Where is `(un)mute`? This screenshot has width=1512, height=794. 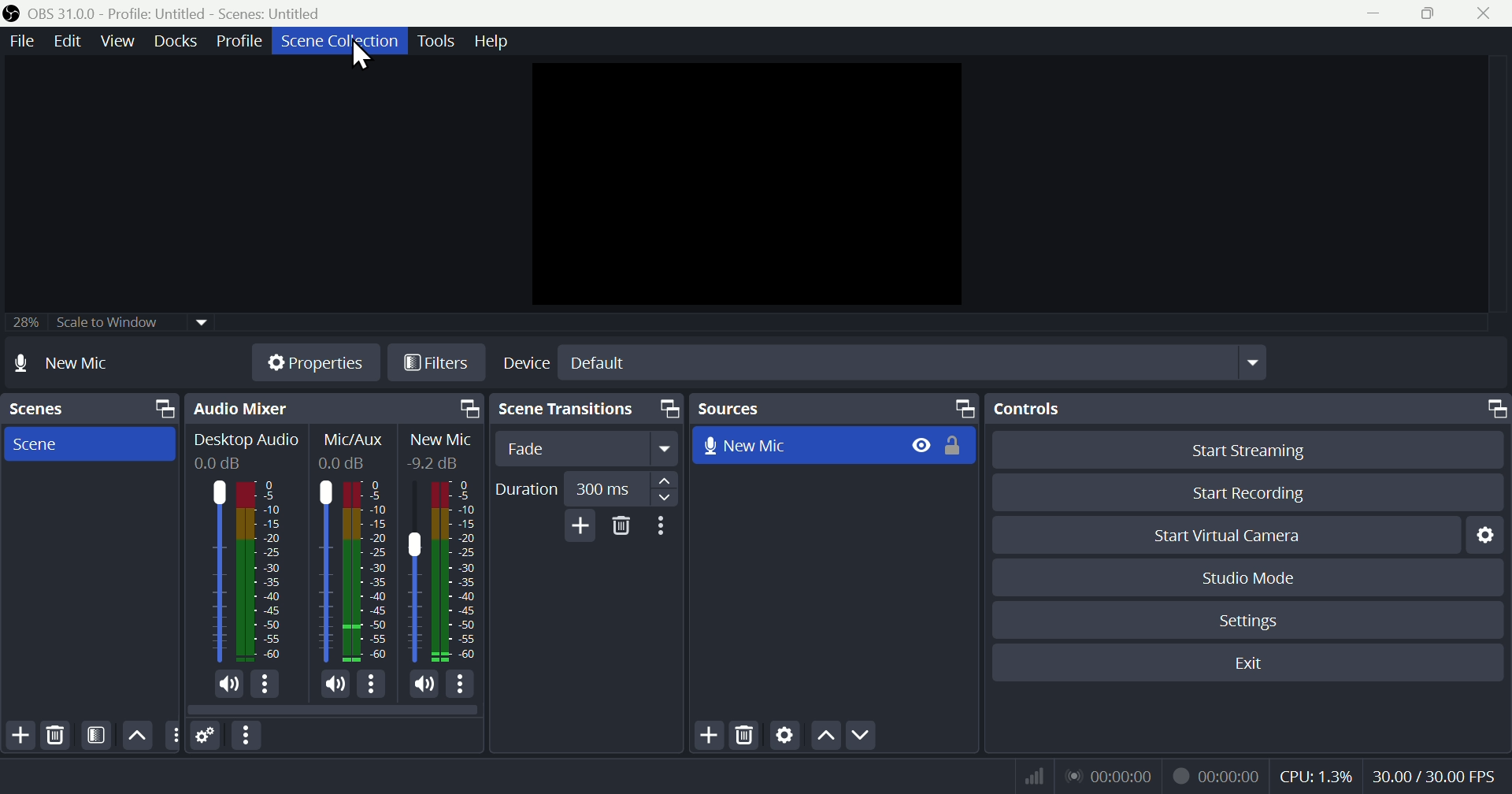 (un)mute is located at coordinates (334, 684).